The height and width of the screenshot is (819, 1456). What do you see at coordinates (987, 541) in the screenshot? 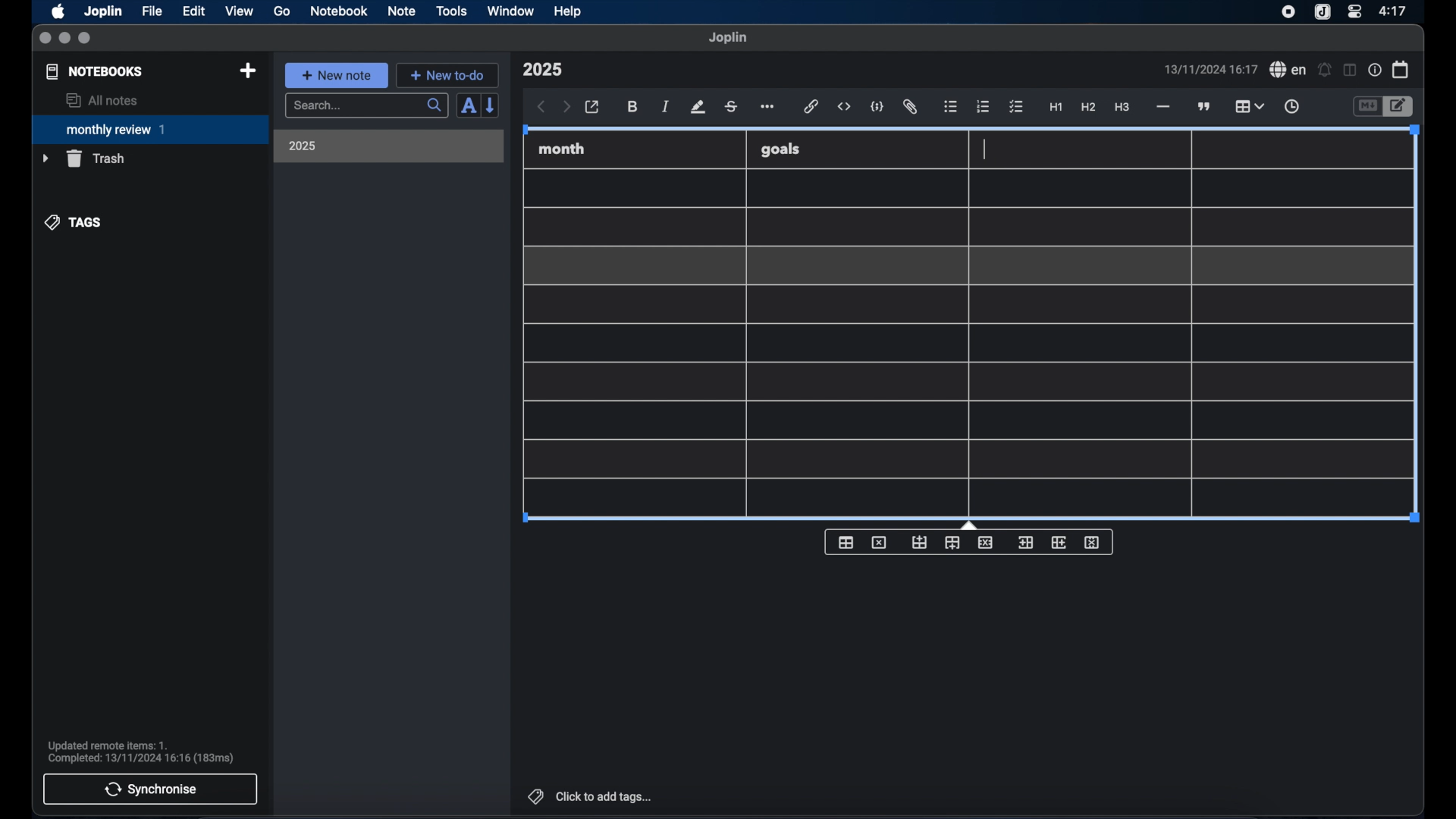
I see `delete row` at bounding box center [987, 541].